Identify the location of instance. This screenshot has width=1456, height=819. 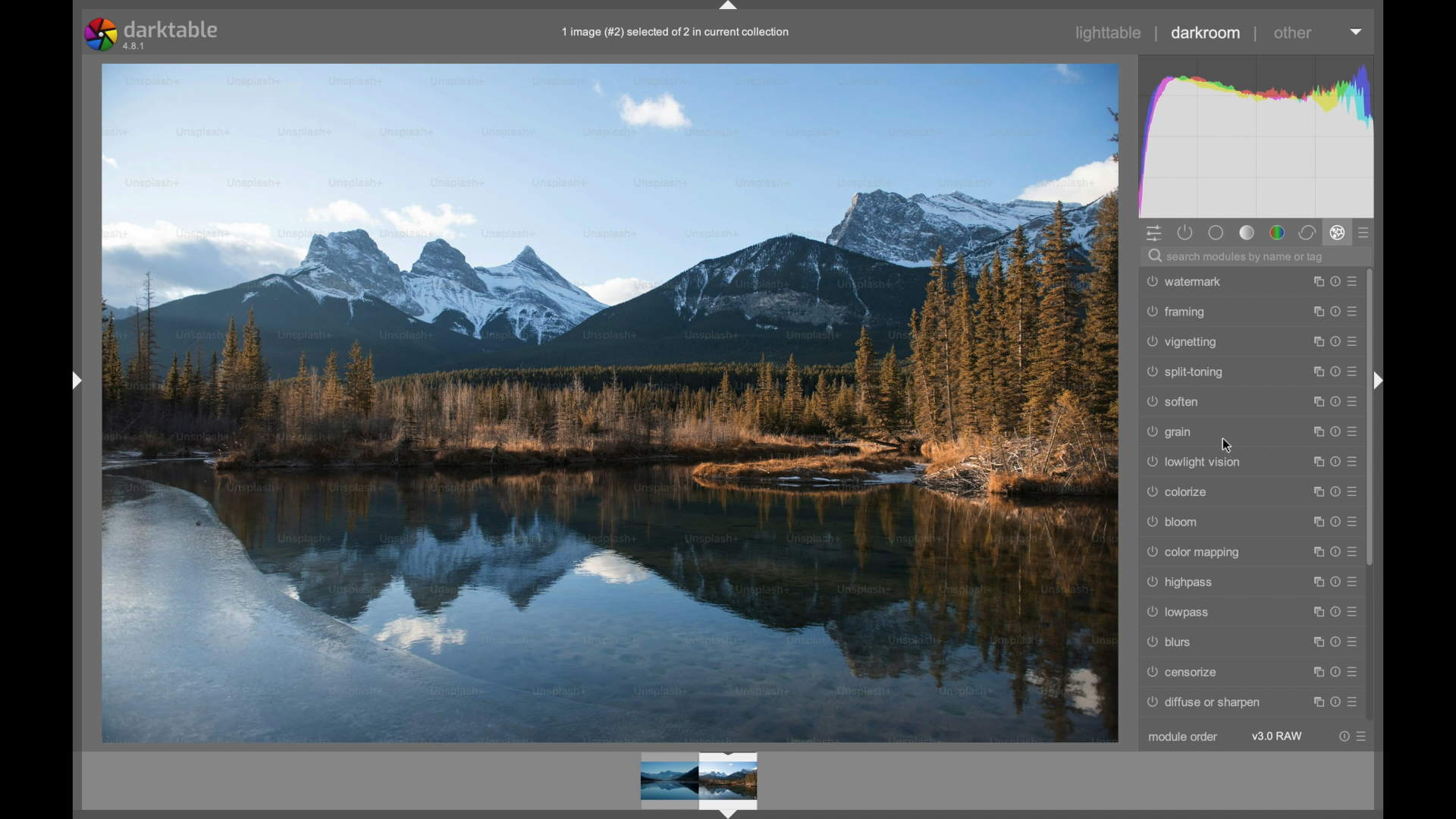
(1313, 611).